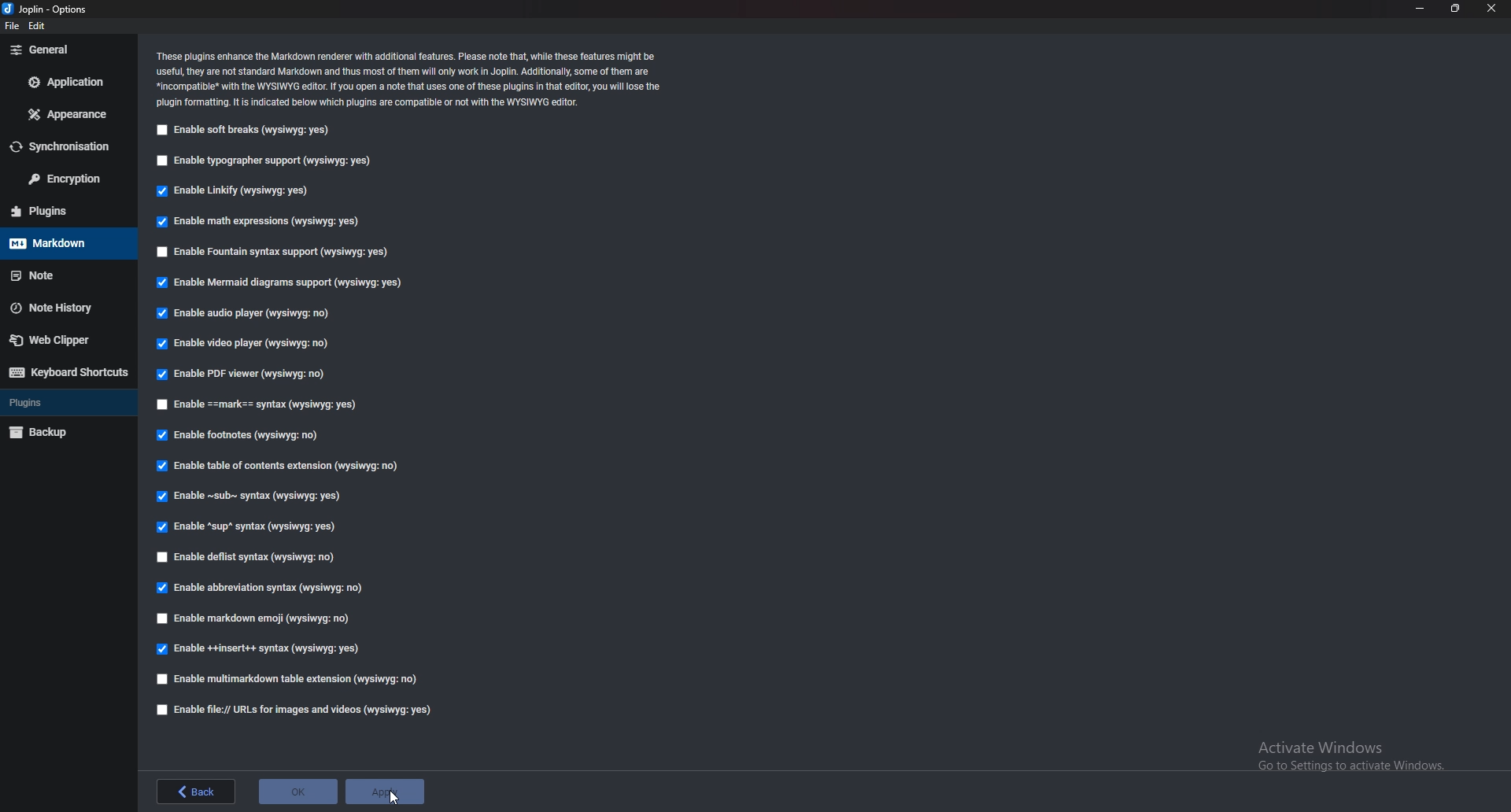 This screenshot has height=812, width=1511. What do you see at coordinates (412, 79) in the screenshot?
I see `These plugins enhance the Markdown renderer with additional features. Please note that, while these features might be
useful, they are not standard Markdown and thus most of them will only work in Joplin. Additionally, Some of them are
“incompatible with the WYSIWYG editor If you open a note that uses one of these plugins in that editor, you will lose the
plugin formatting. It is indicated below which plugins are compatible or not with the WYSIWYG editor.` at bounding box center [412, 79].